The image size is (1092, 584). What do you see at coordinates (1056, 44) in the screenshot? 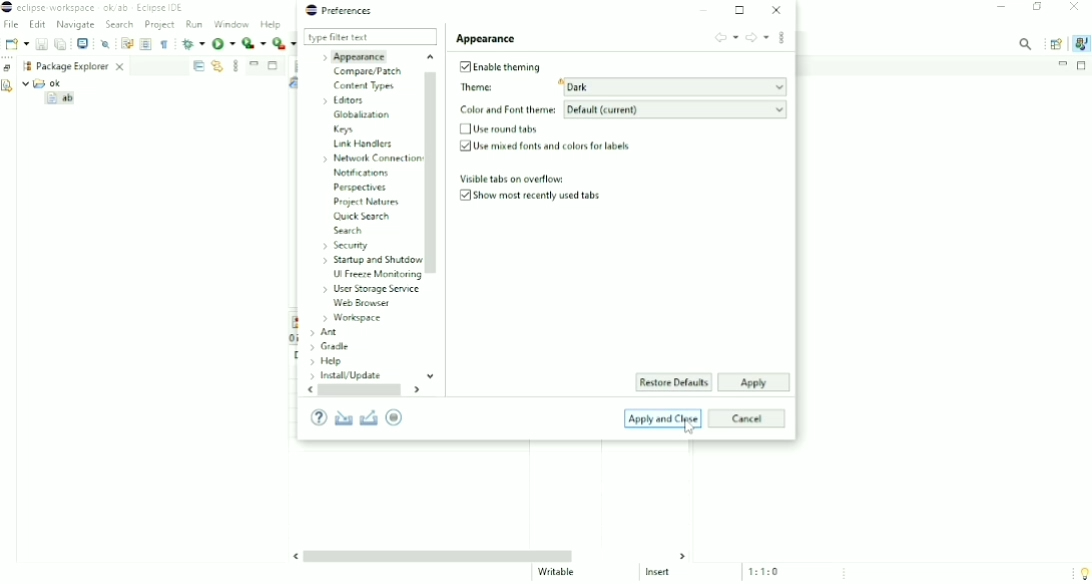
I see `Open Perspective` at bounding box center [1056, 44].